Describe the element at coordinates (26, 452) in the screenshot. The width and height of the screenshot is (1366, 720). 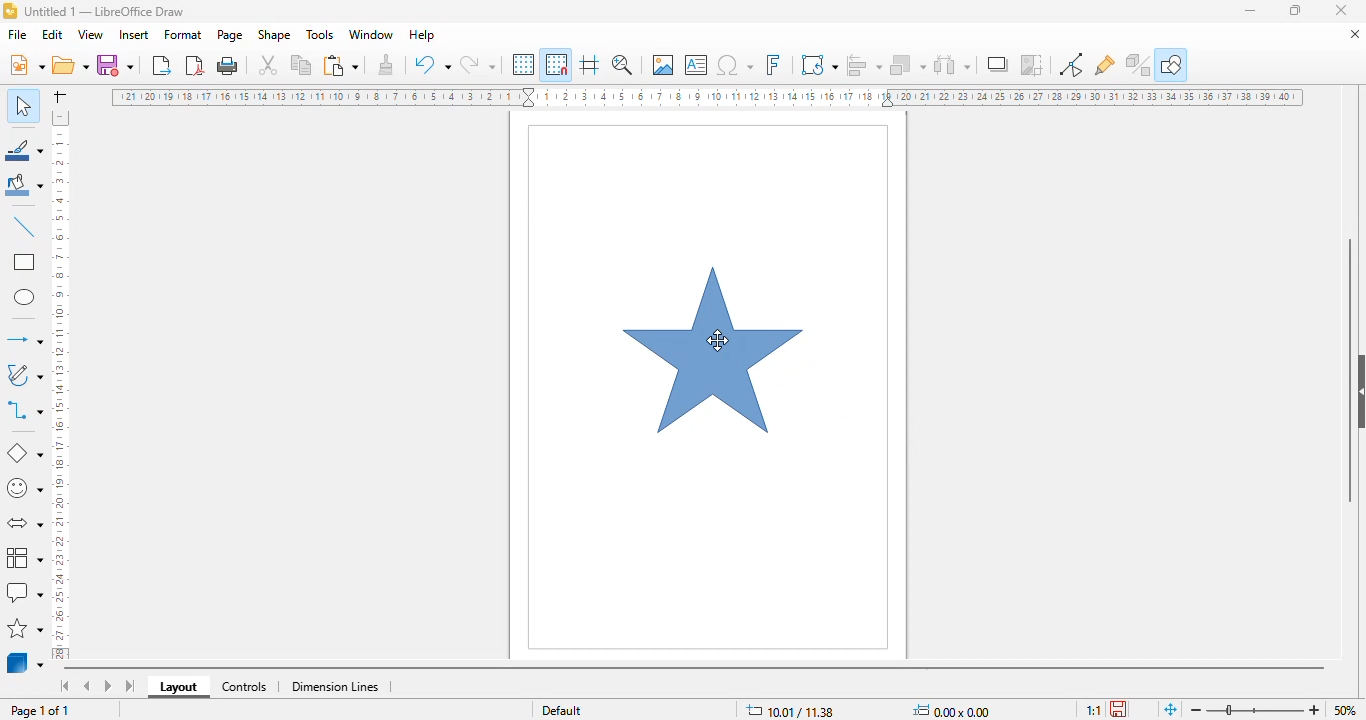
I see `basic shapes` at that location.